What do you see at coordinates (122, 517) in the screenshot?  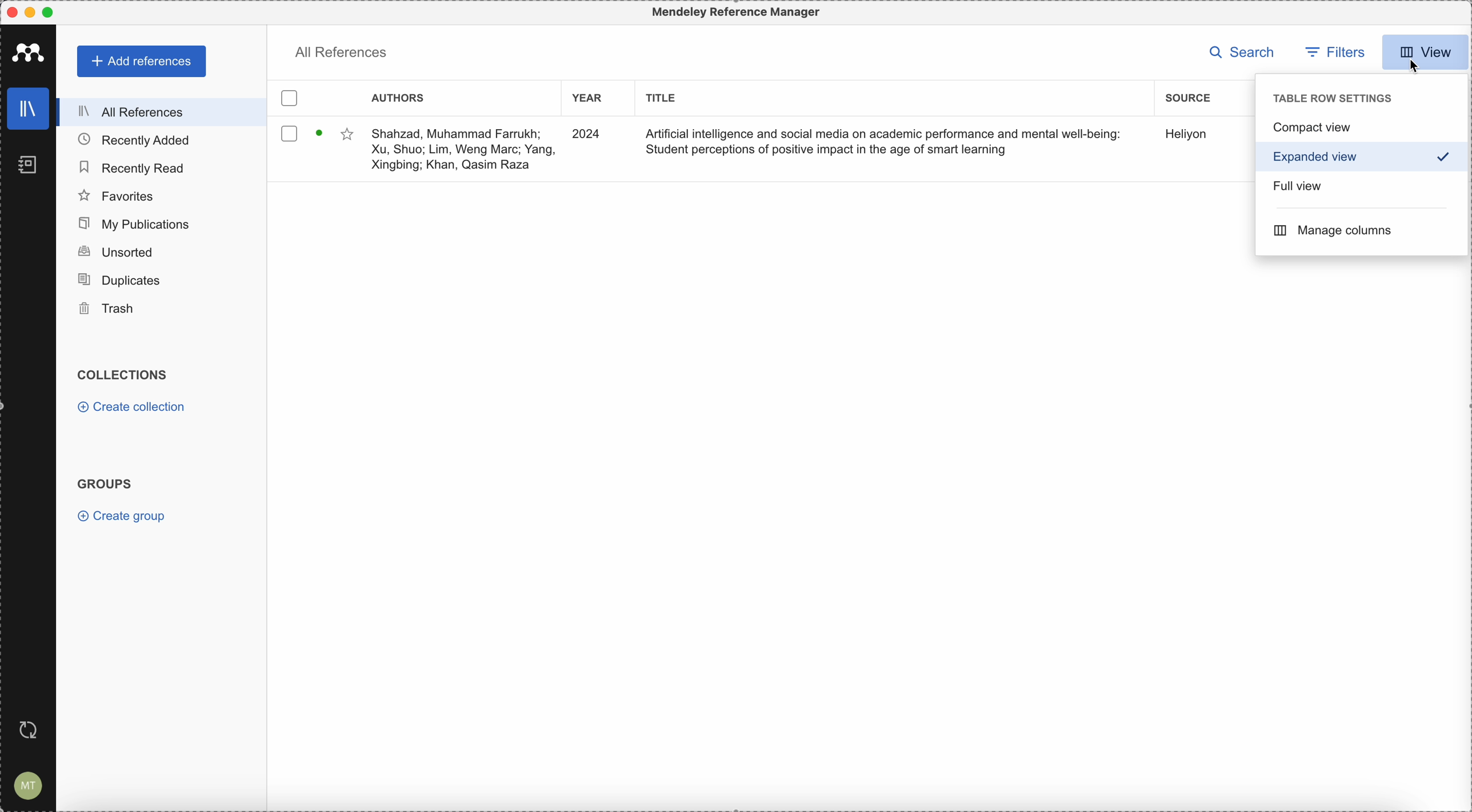 I see `create group` at bounding box center [122, 517].